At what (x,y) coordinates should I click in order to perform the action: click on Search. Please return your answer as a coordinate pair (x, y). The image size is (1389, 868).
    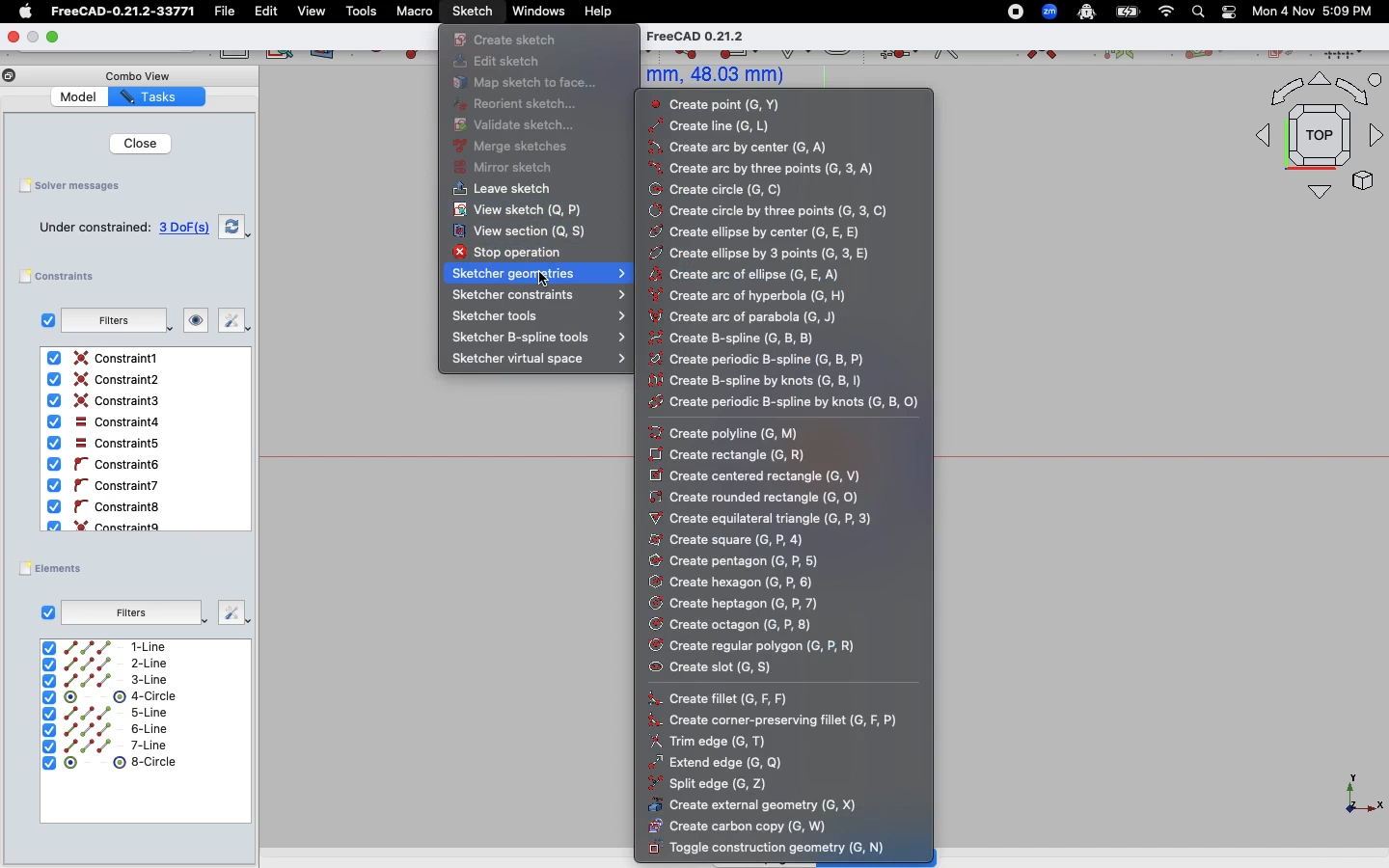
    Looking at the image, I should click on (1197, 11).